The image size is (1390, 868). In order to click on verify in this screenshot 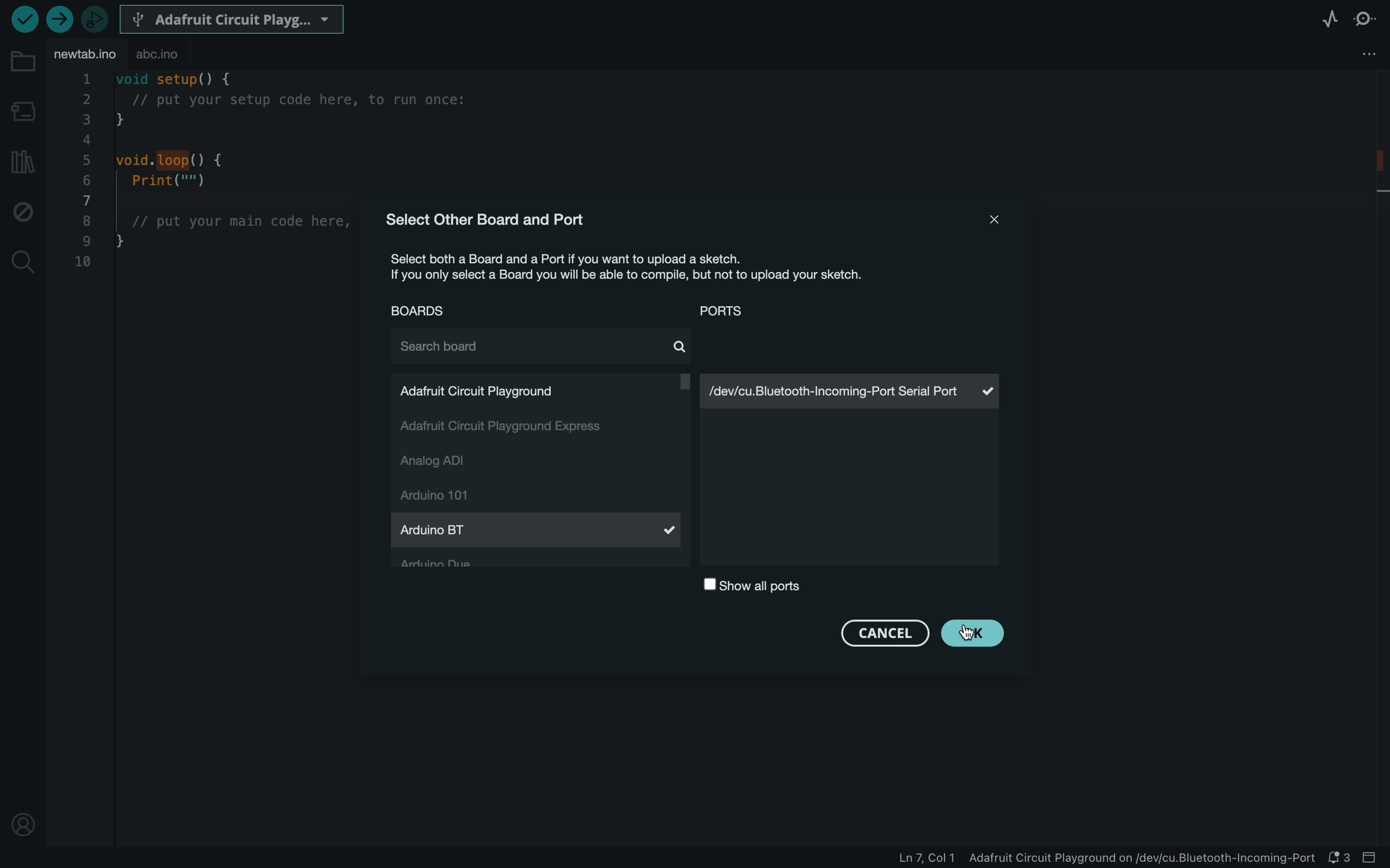, I will do `click(23, 22)`.